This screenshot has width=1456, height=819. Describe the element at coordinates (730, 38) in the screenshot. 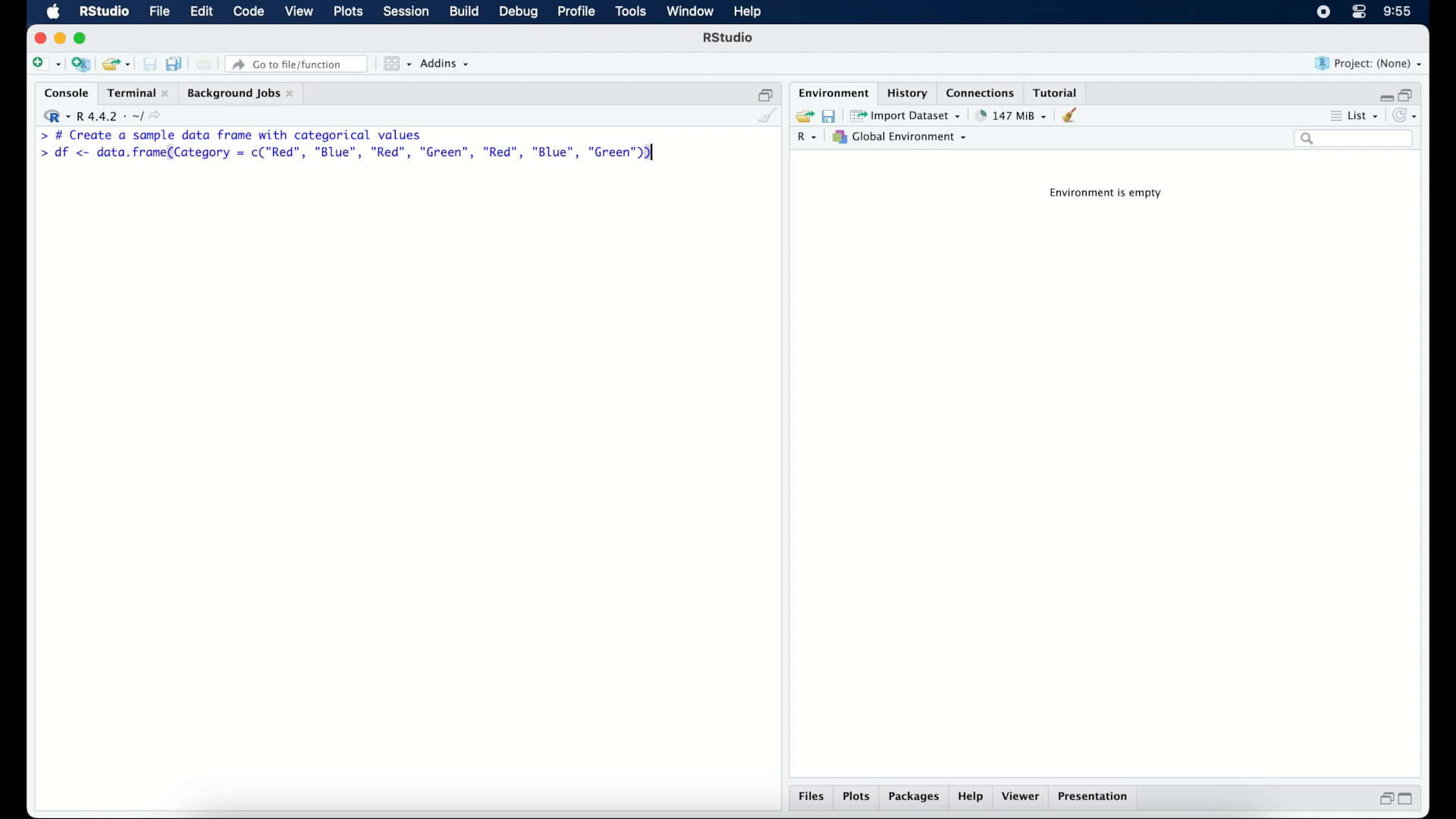

I see `R Studio` at that location.